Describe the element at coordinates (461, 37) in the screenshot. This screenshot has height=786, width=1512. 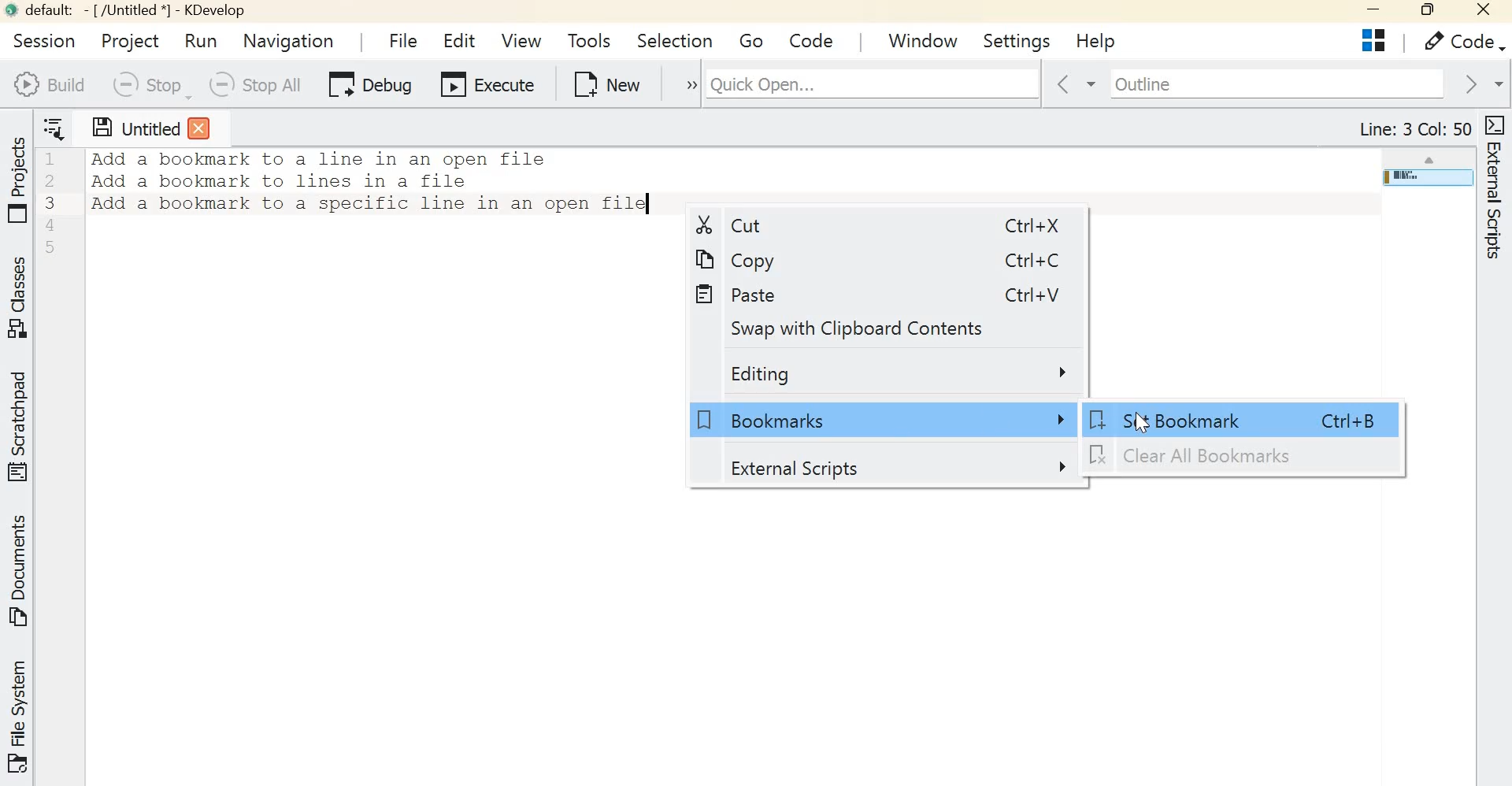
I see `Edit` at that location.